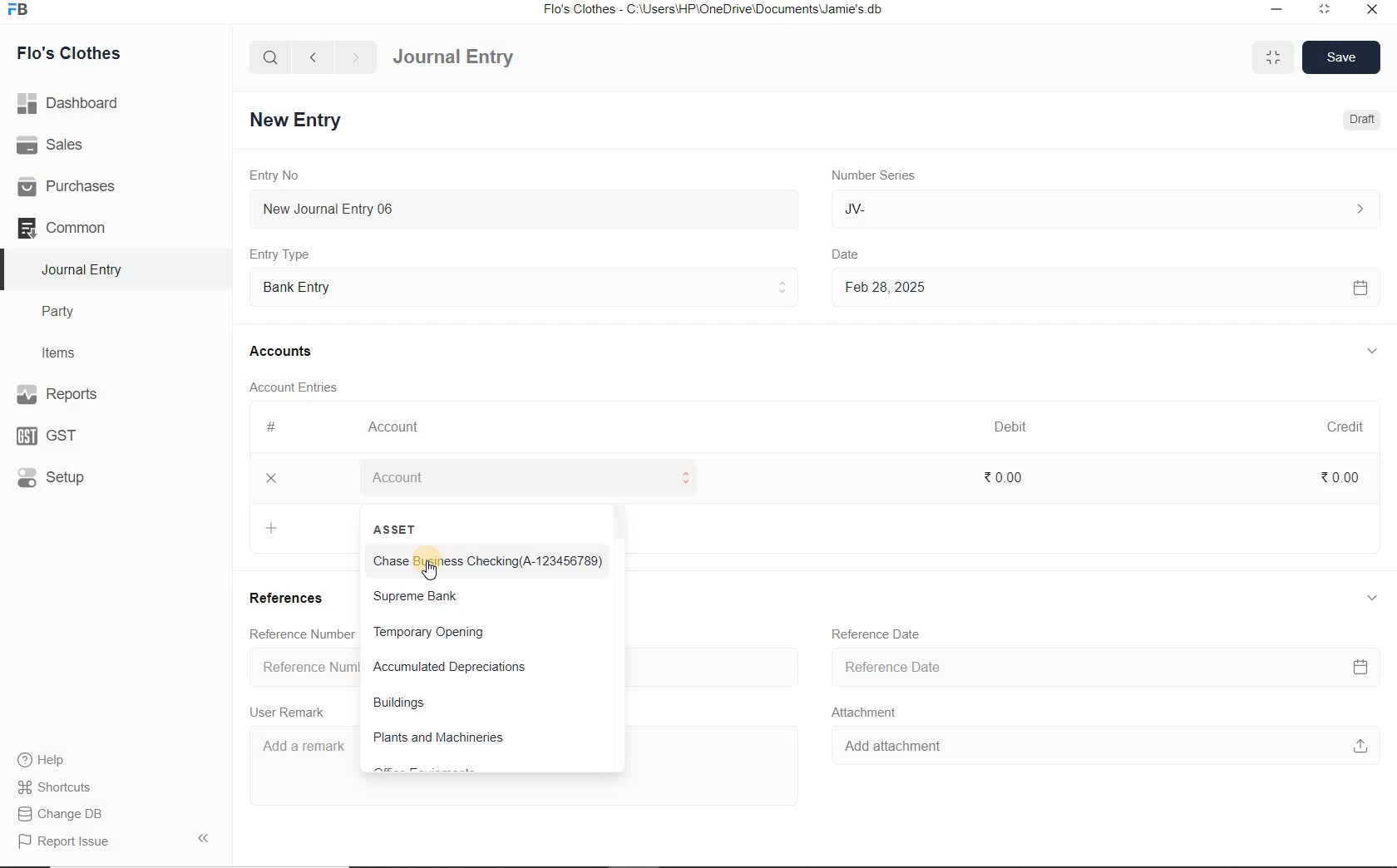  I want to click on Party, so click(70, 312).